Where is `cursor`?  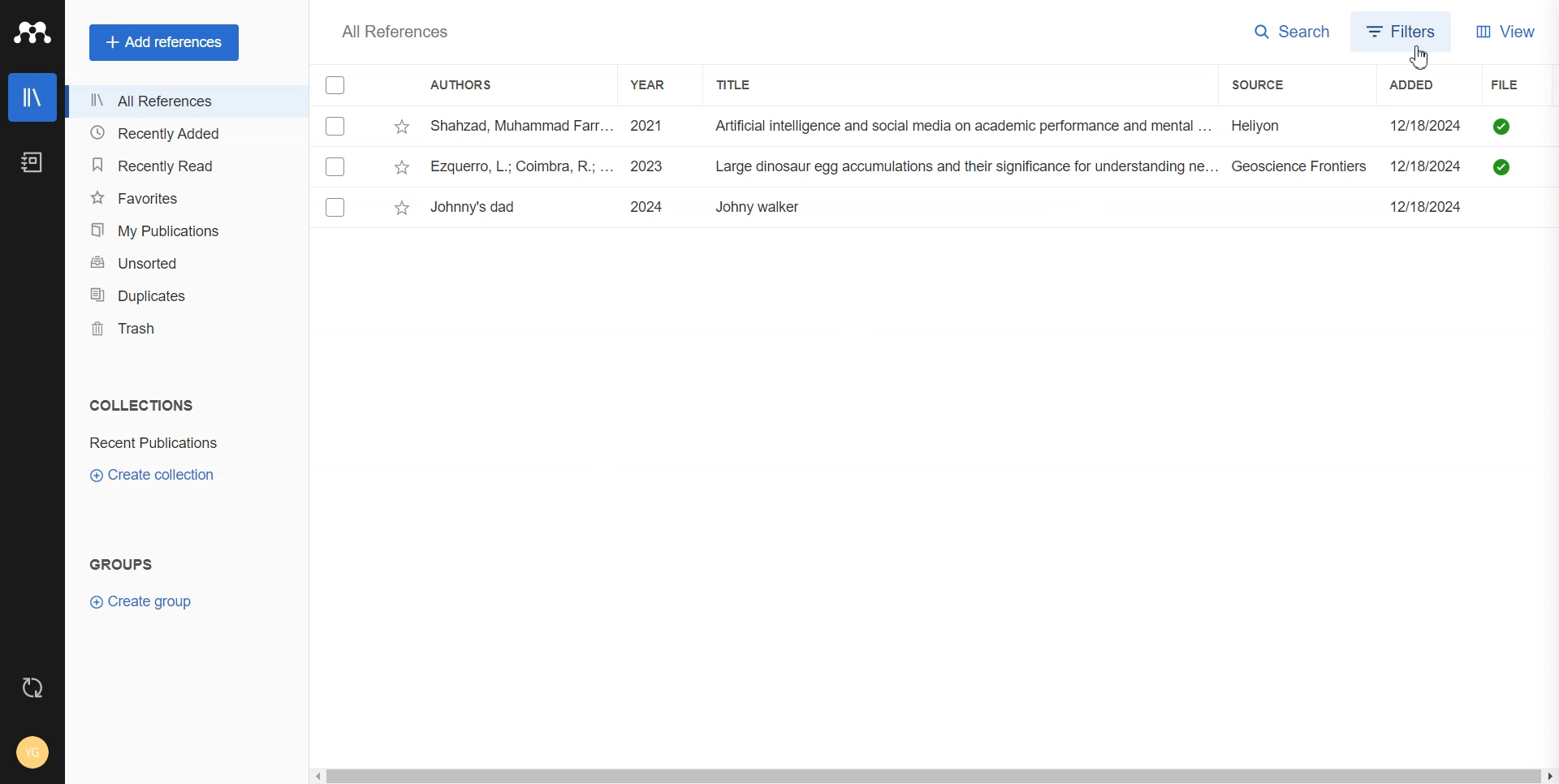
cursor is located at coordinates (1419, 58).